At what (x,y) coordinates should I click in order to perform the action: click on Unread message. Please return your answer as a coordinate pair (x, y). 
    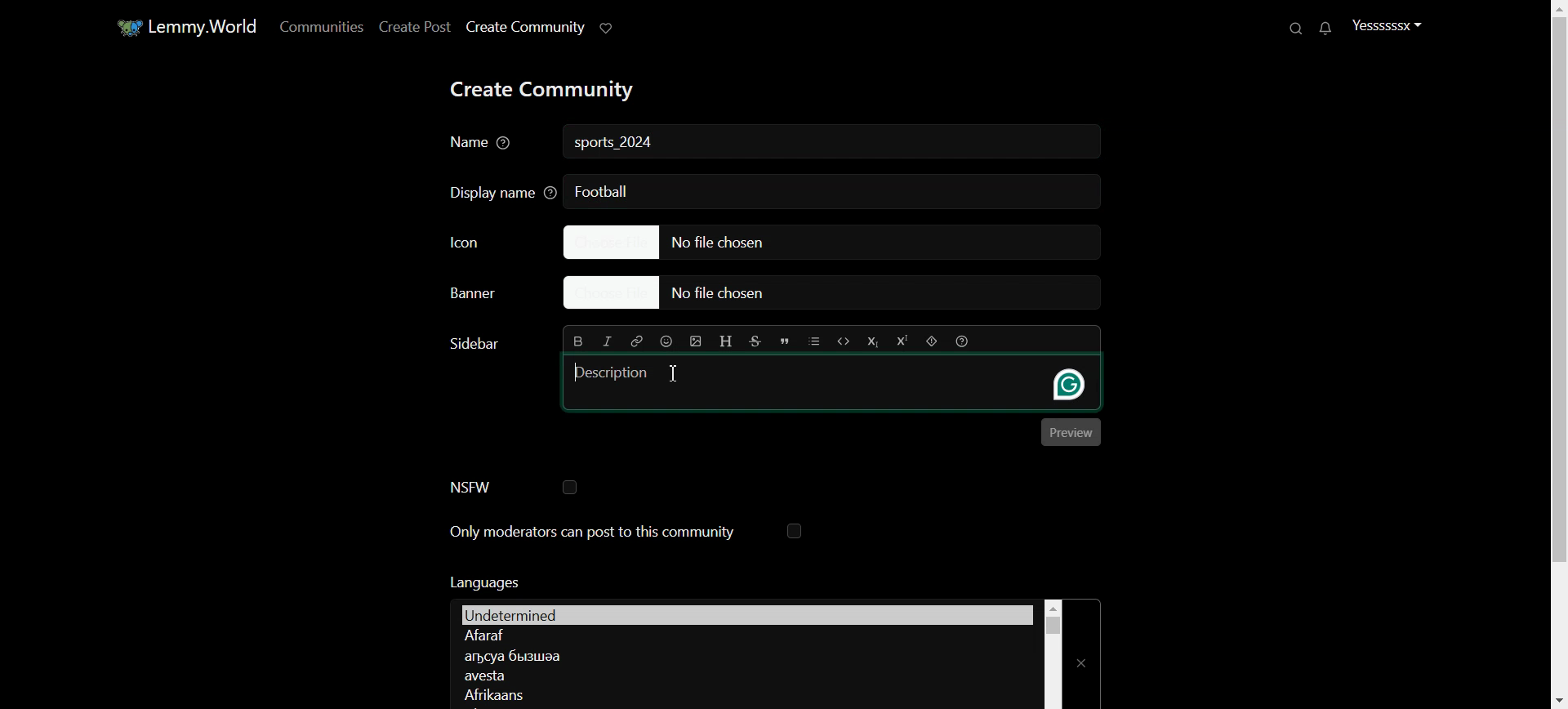
    Looking at the image, I should click on (1324, 29).